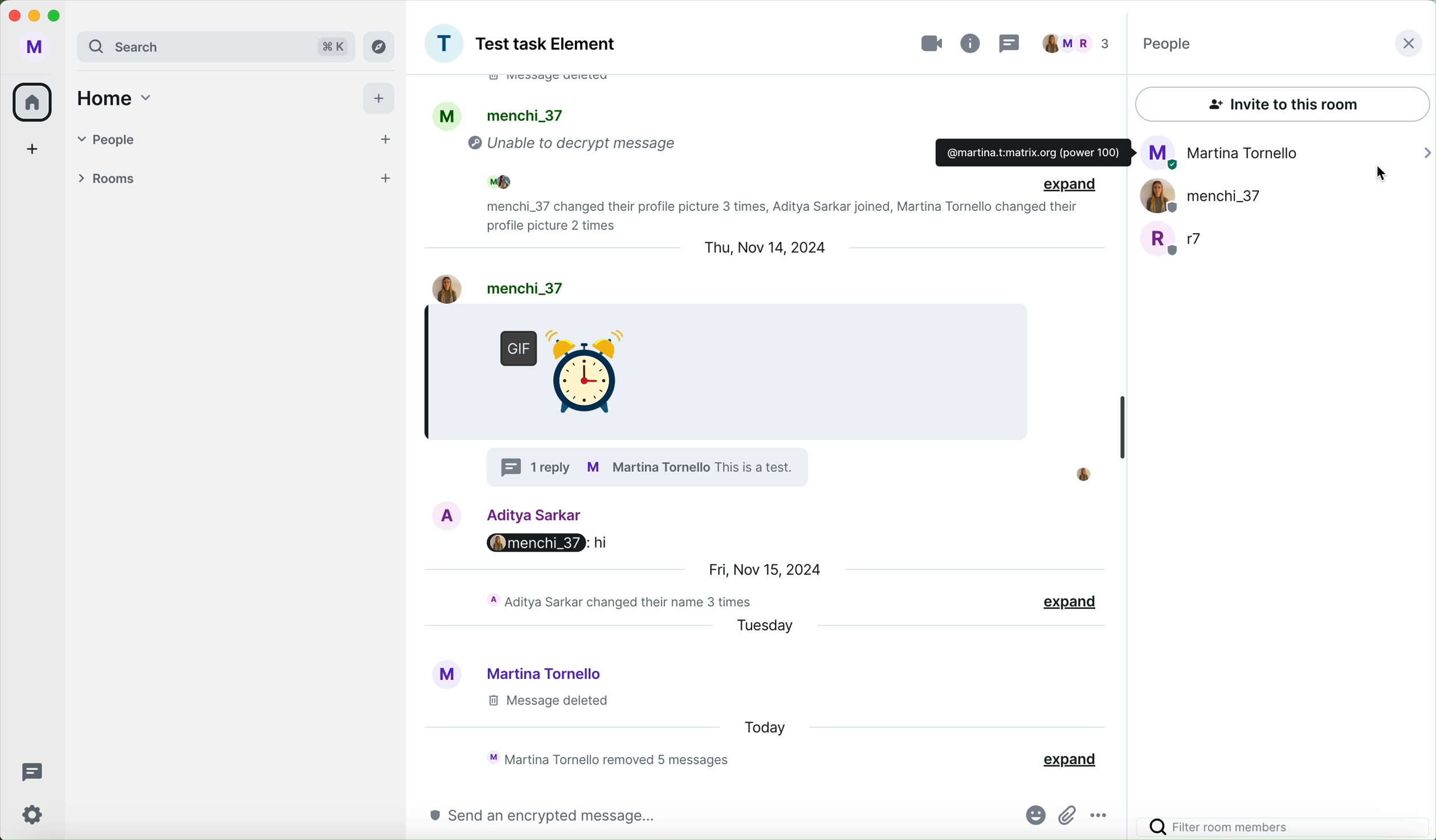 This screenshot has height=840, width=1436. Describe the element at coordinates (437, 287) in the screenshot. I see `image profile` at that location.